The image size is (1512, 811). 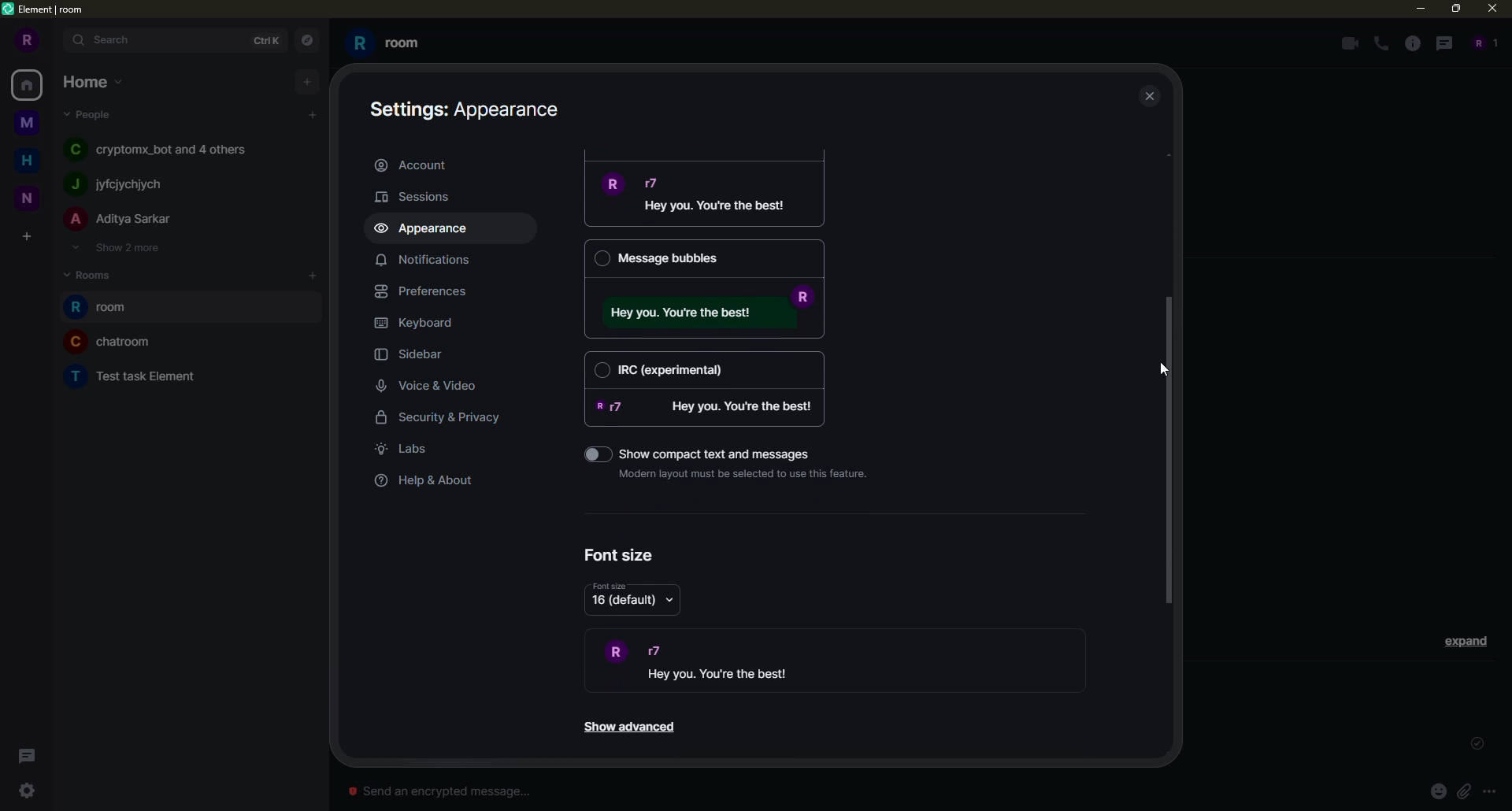 I want to click on keyboard, so click(x=418, y=323).